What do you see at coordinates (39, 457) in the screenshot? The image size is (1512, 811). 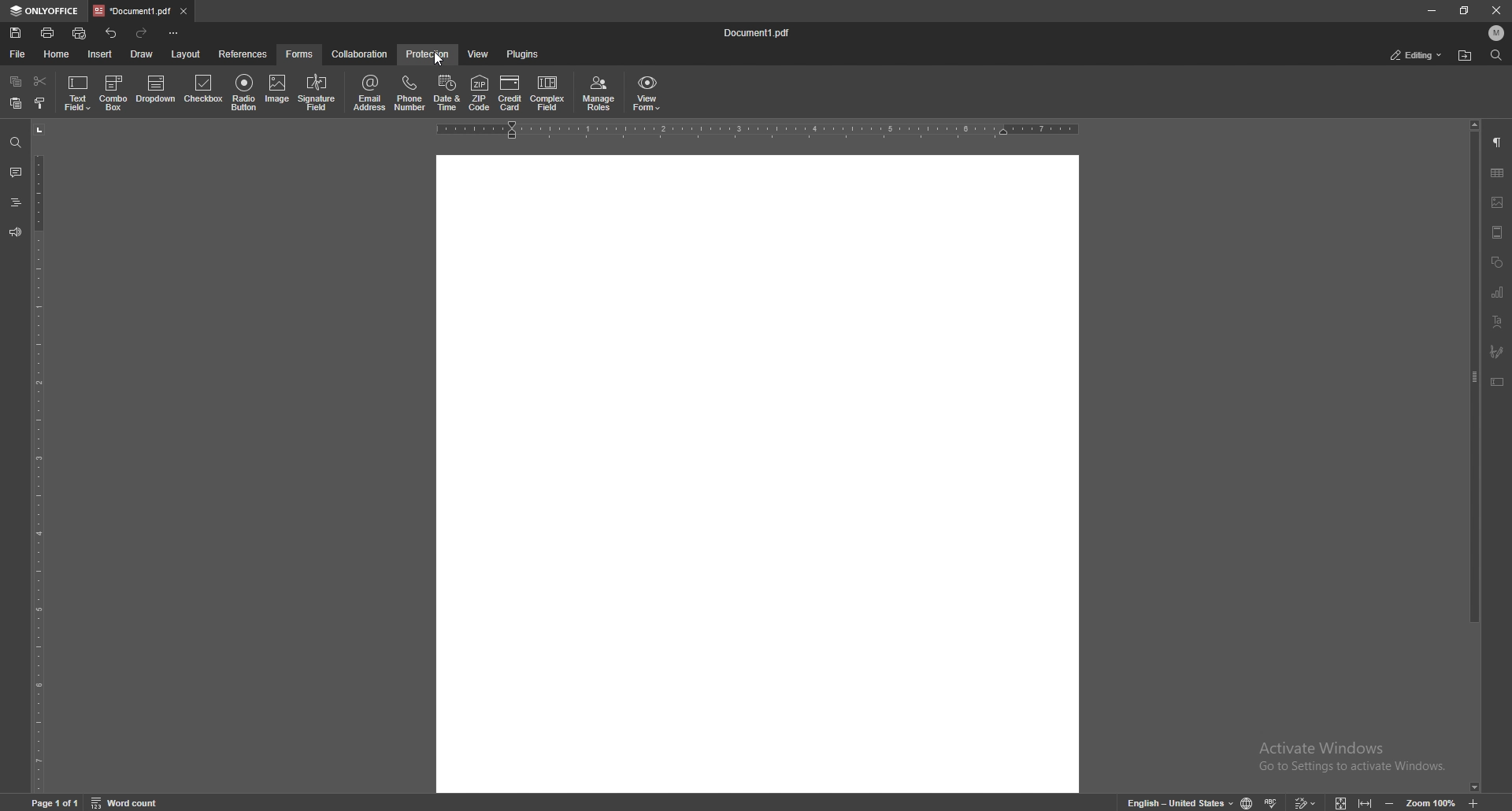 I see `vertical scale` at bounding box center [39, 457].